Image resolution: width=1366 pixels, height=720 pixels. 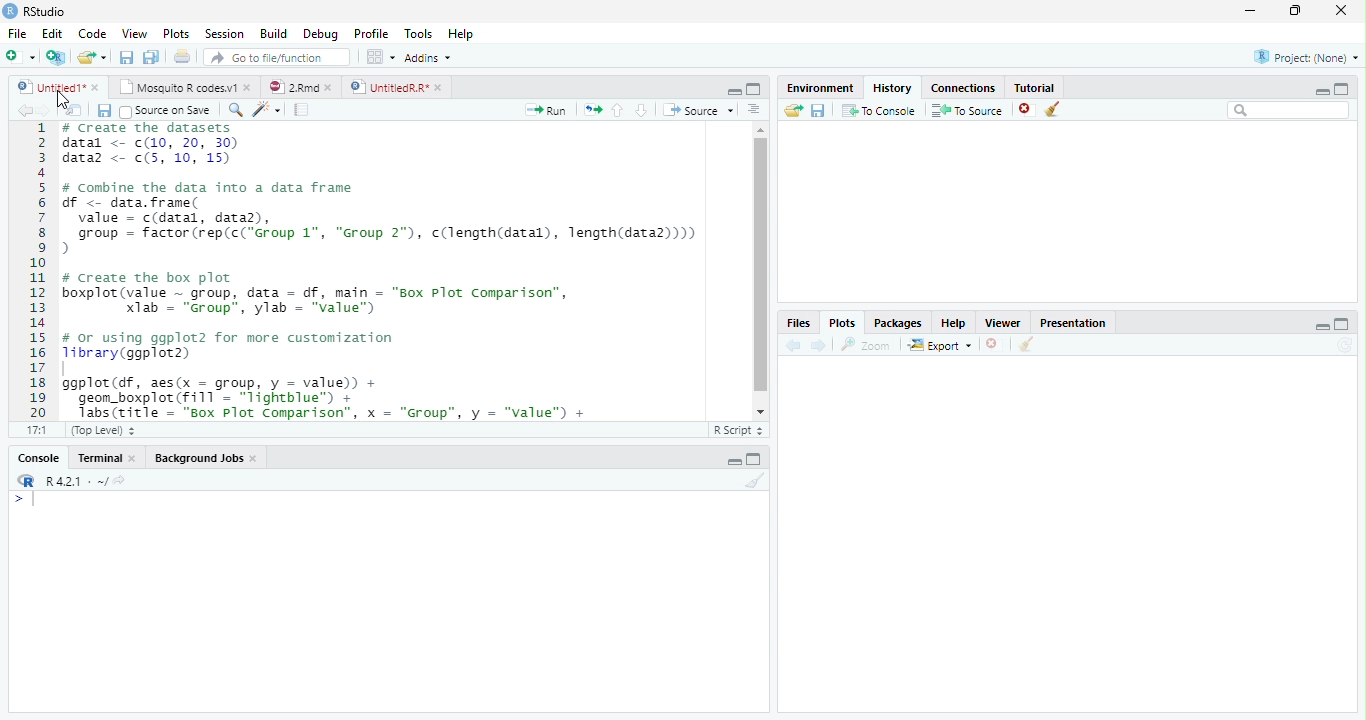 What do you see at coordinates (388, 271) in the screenshot?
I see `# Create the datasets
datal <- (10, 20, 30)
data2 <- c(5, 10, 15)
# Combine the data into a data frame
of <- data.frame(
value = c(datal, data2),
group = factor (rep(c("Group 1", "Group 2"), c(length(datal), length(data2))))
)
# Create the box plot
boxplot (value ~ group, data = df, main = “Box Plot Comparison”,
x1ab = “Group”, ylab = "Value")
# or using ggplot2 for more customization
Tibrary(ggplot2)
|
9gplot (df, aes(x = group, y = value) +
‘geom_boxplot (F111 = "Tightblue™) +
Jabs(title = "Box Plot Comparison”, x = "Group™, y = "value™) +` at bounding box center [388, 271].